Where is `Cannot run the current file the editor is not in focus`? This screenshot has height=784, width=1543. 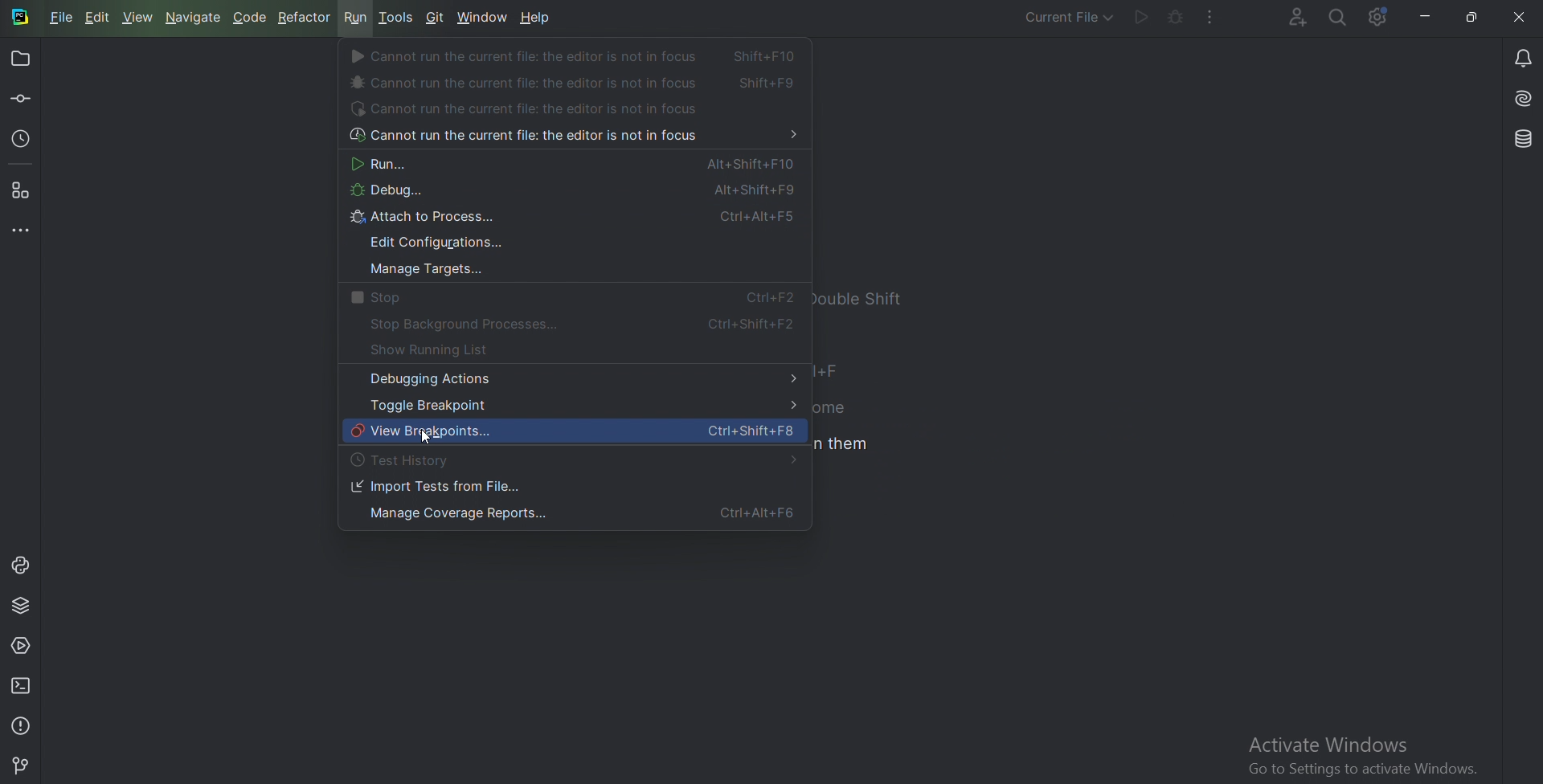 Cannot run the current file the editor is not in focus is located at coordinates (532, 110).